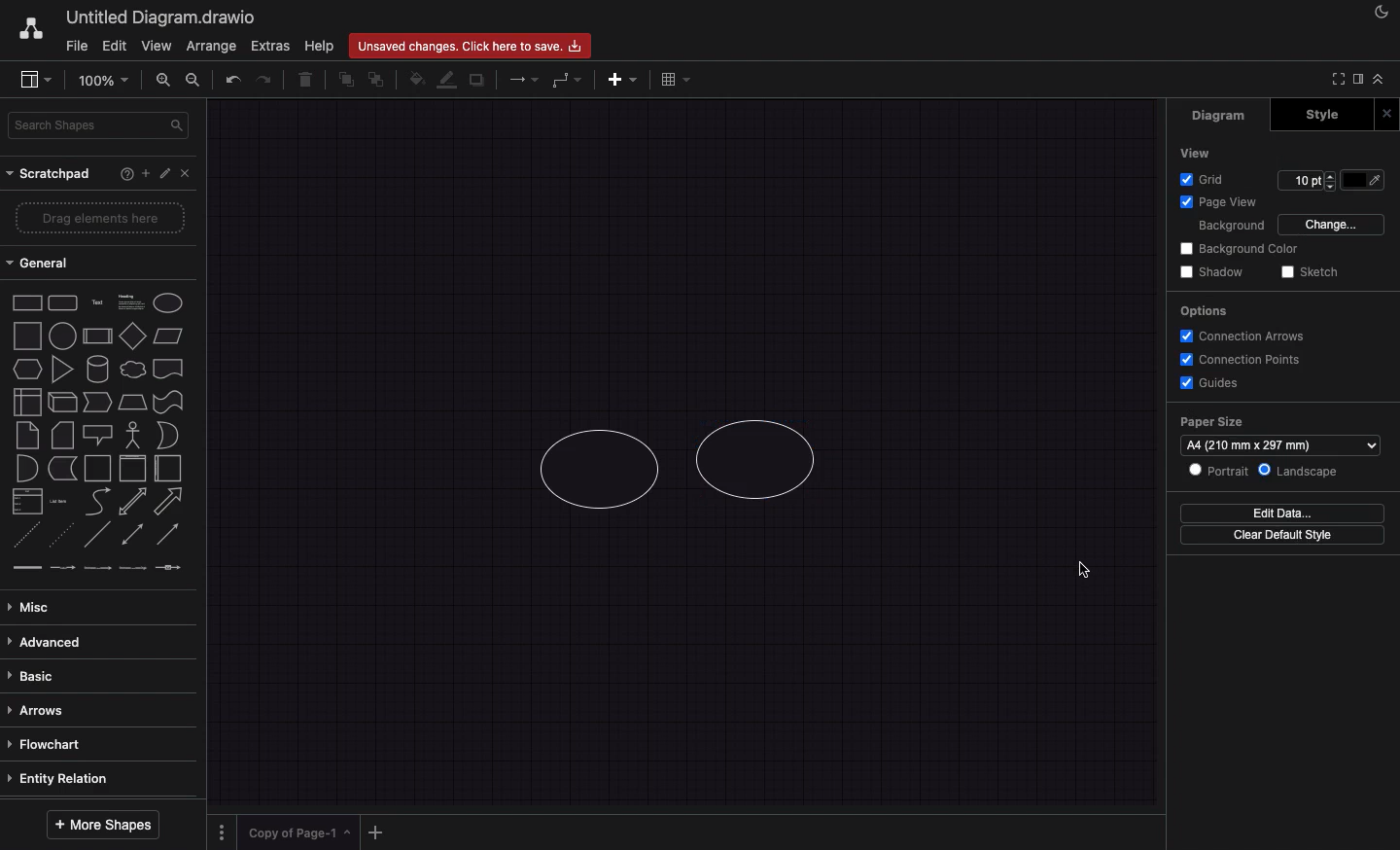  I want to click on appearance , so click(1378, 13).